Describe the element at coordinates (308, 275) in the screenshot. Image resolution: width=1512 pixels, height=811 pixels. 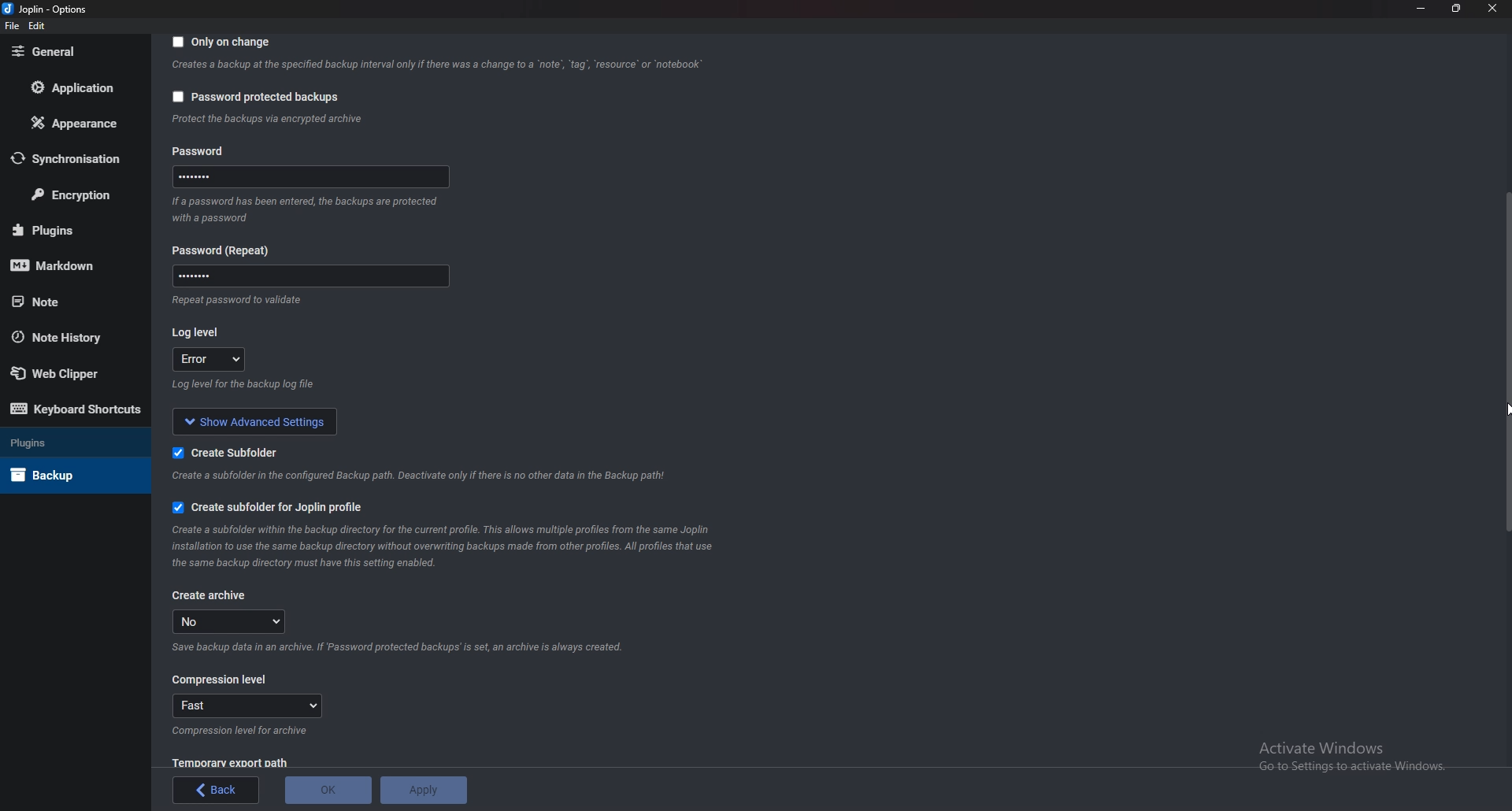
I see `Password` at that location.